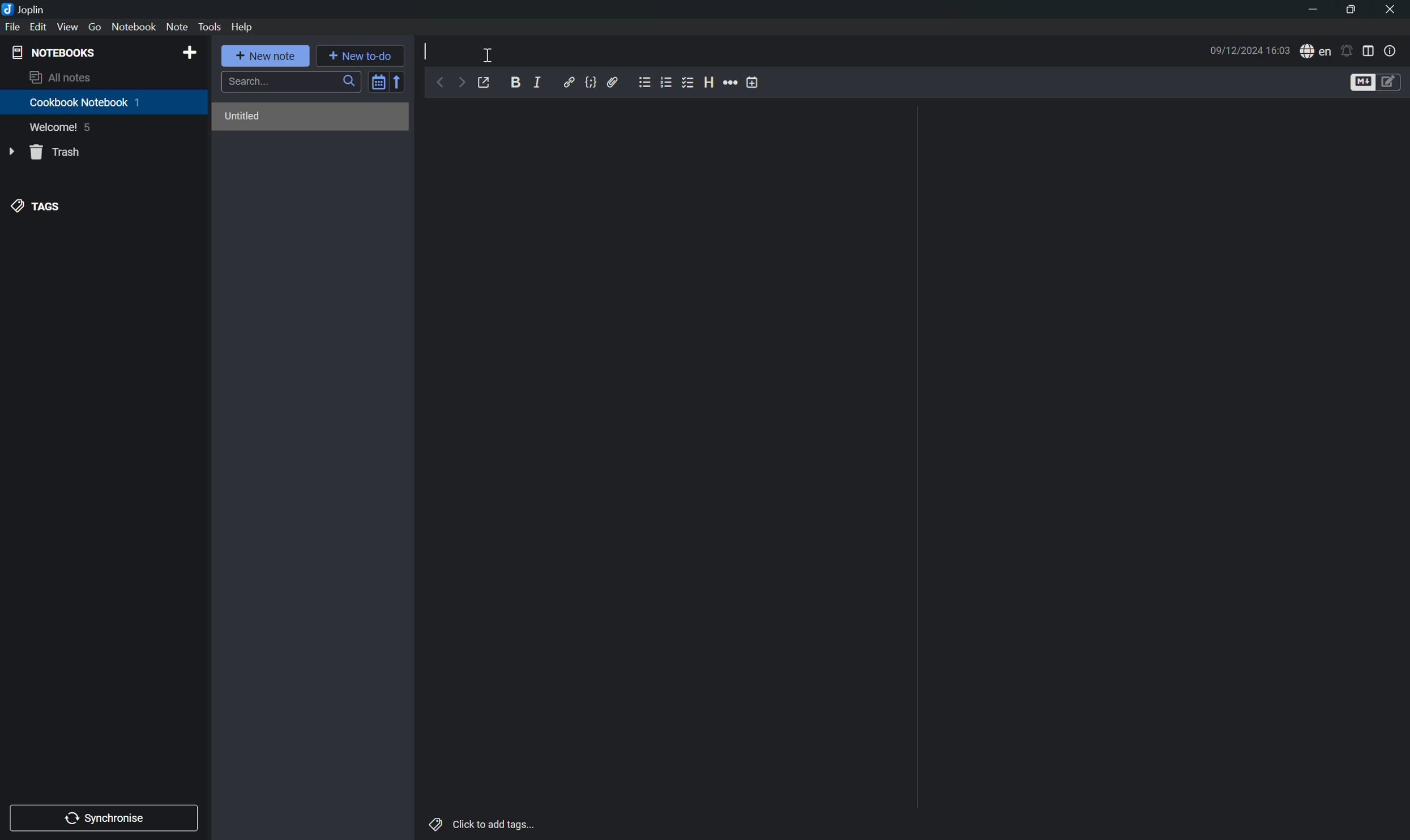 The height and width of the screenshot is (840, 1410). I want to click on Cookbook Notebook 1, so click(86, 102).